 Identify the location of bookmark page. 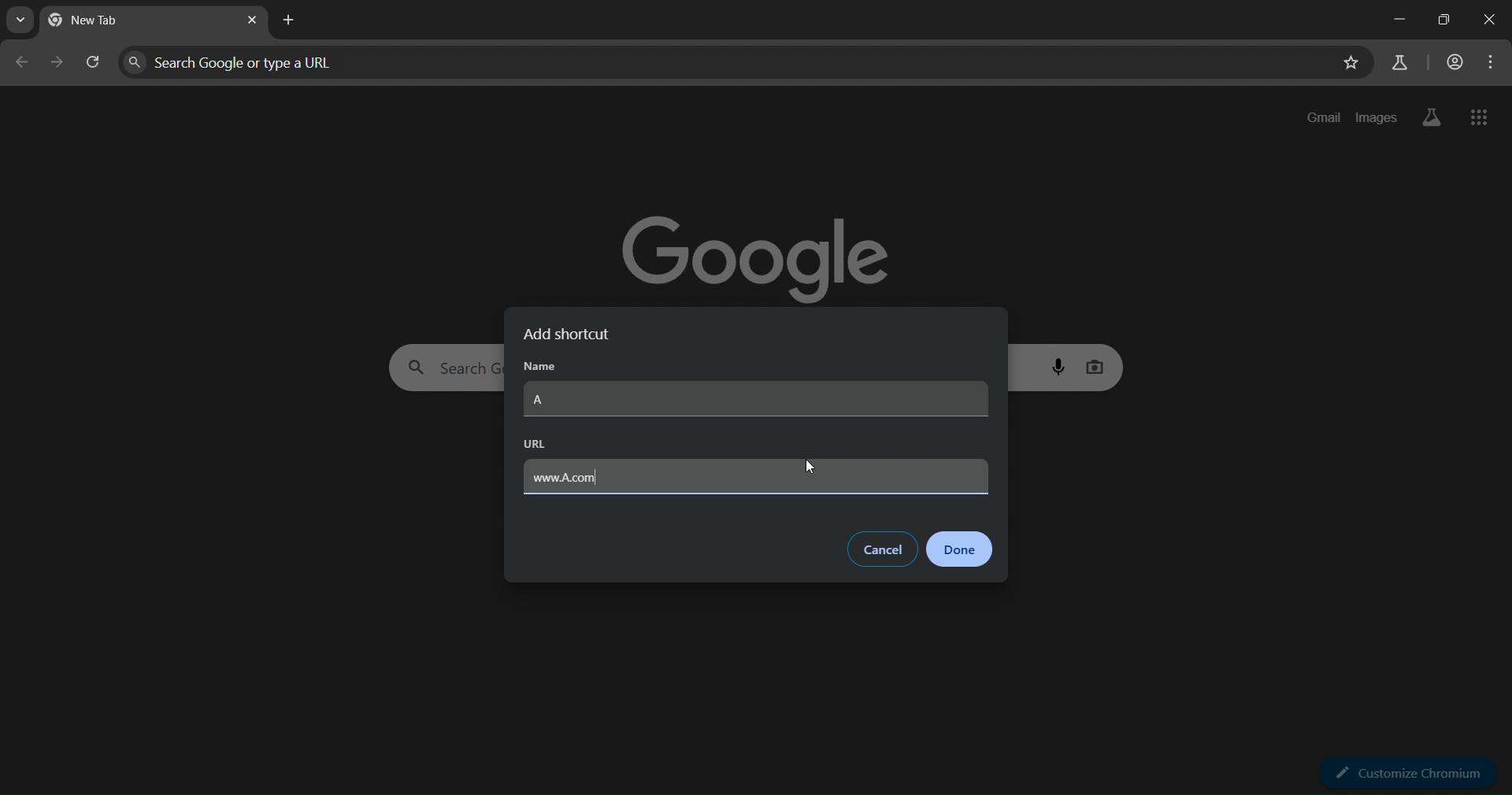
(1349, 65).